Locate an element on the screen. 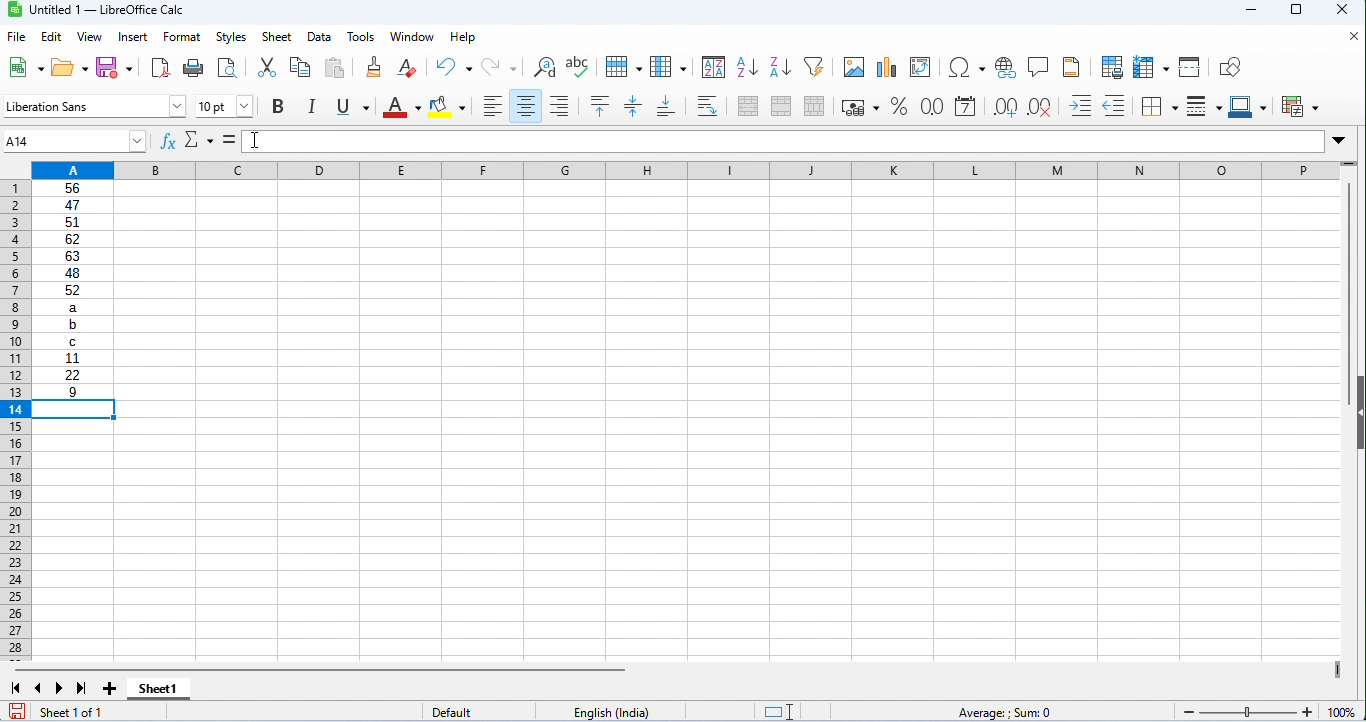 This screenshot has width=1366, height=722. horizontal scroll bar is located at coordinates (321, 670).